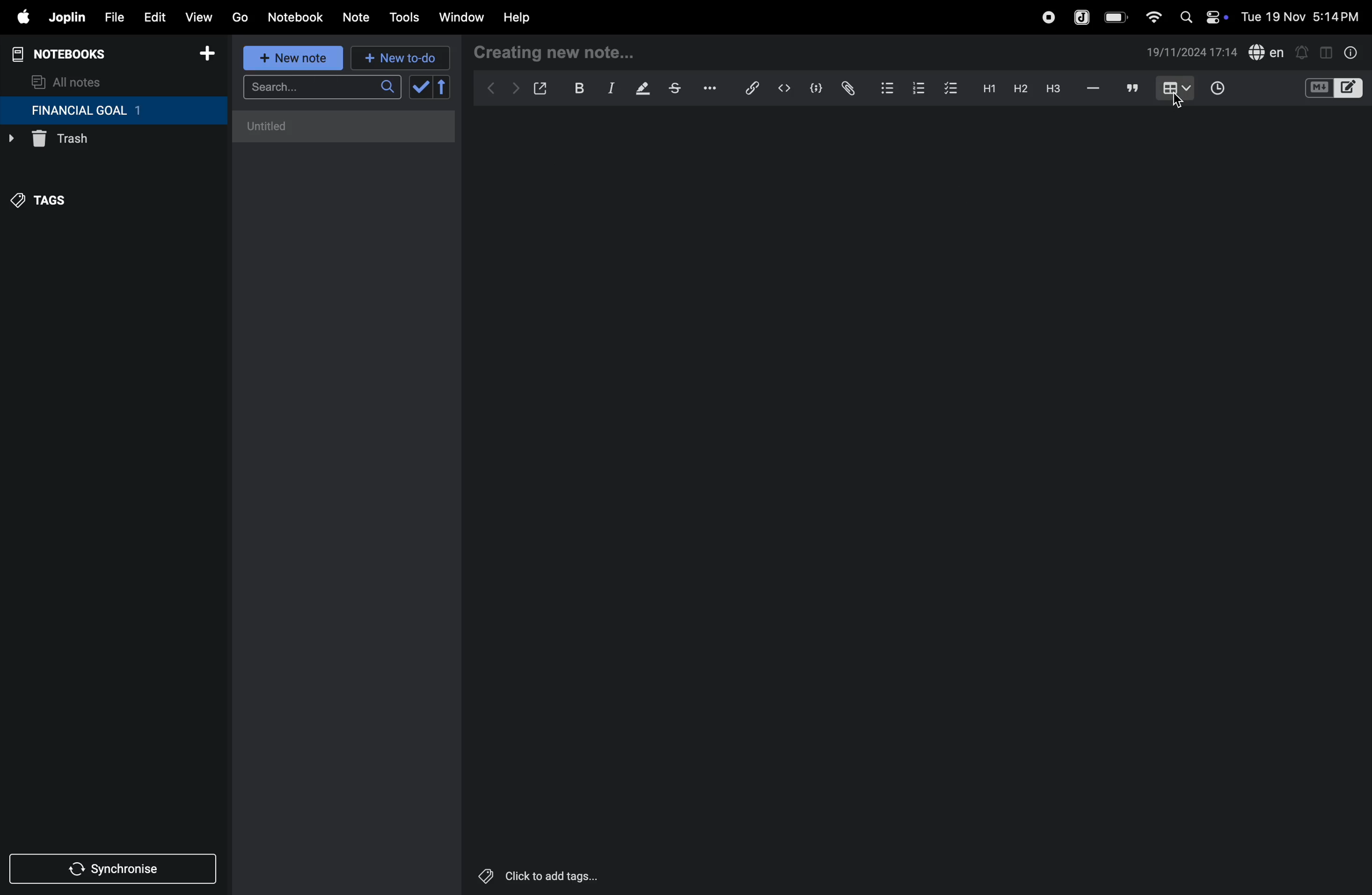 This screenshot has height=895, width=1372. What do you see at coordinates (345, 126) in the screenshot?
I see `Untitled` at bounding box center [345, 126].